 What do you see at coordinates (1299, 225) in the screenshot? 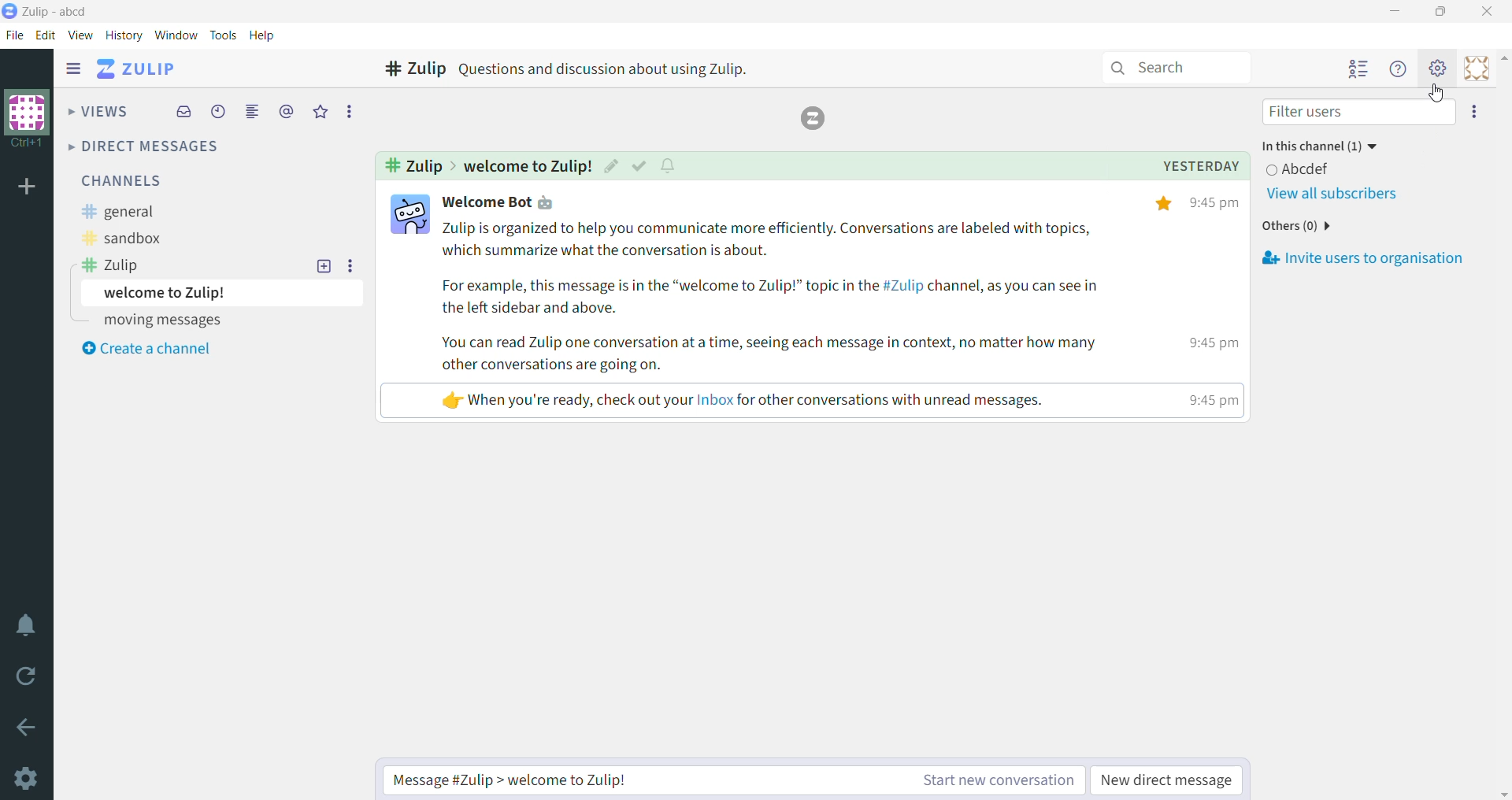
I see `Others` at bounding box center [1299, 225].